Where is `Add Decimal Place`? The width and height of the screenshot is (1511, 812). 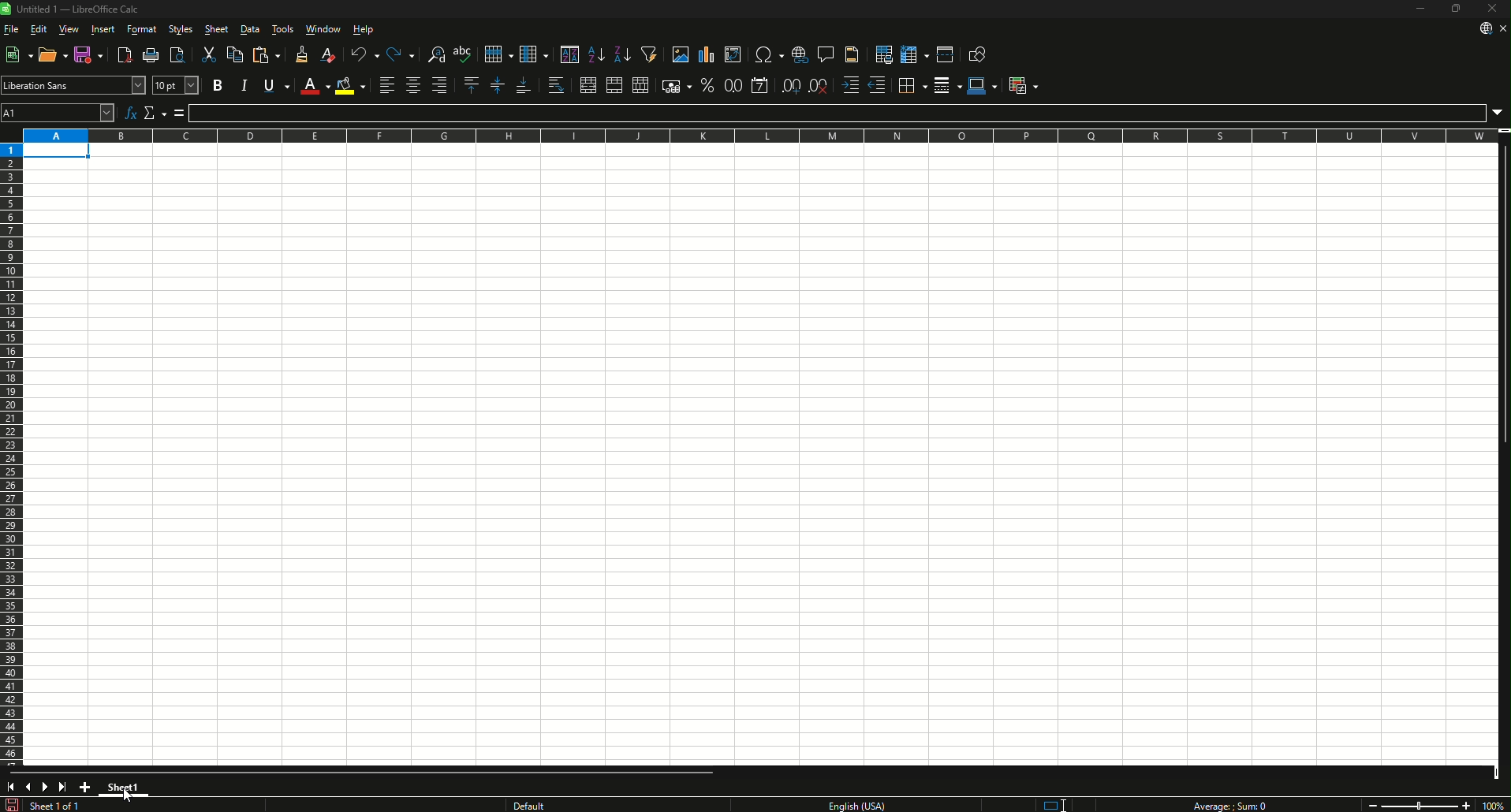 Add Decimal Place is located at coordinates (790, 85).